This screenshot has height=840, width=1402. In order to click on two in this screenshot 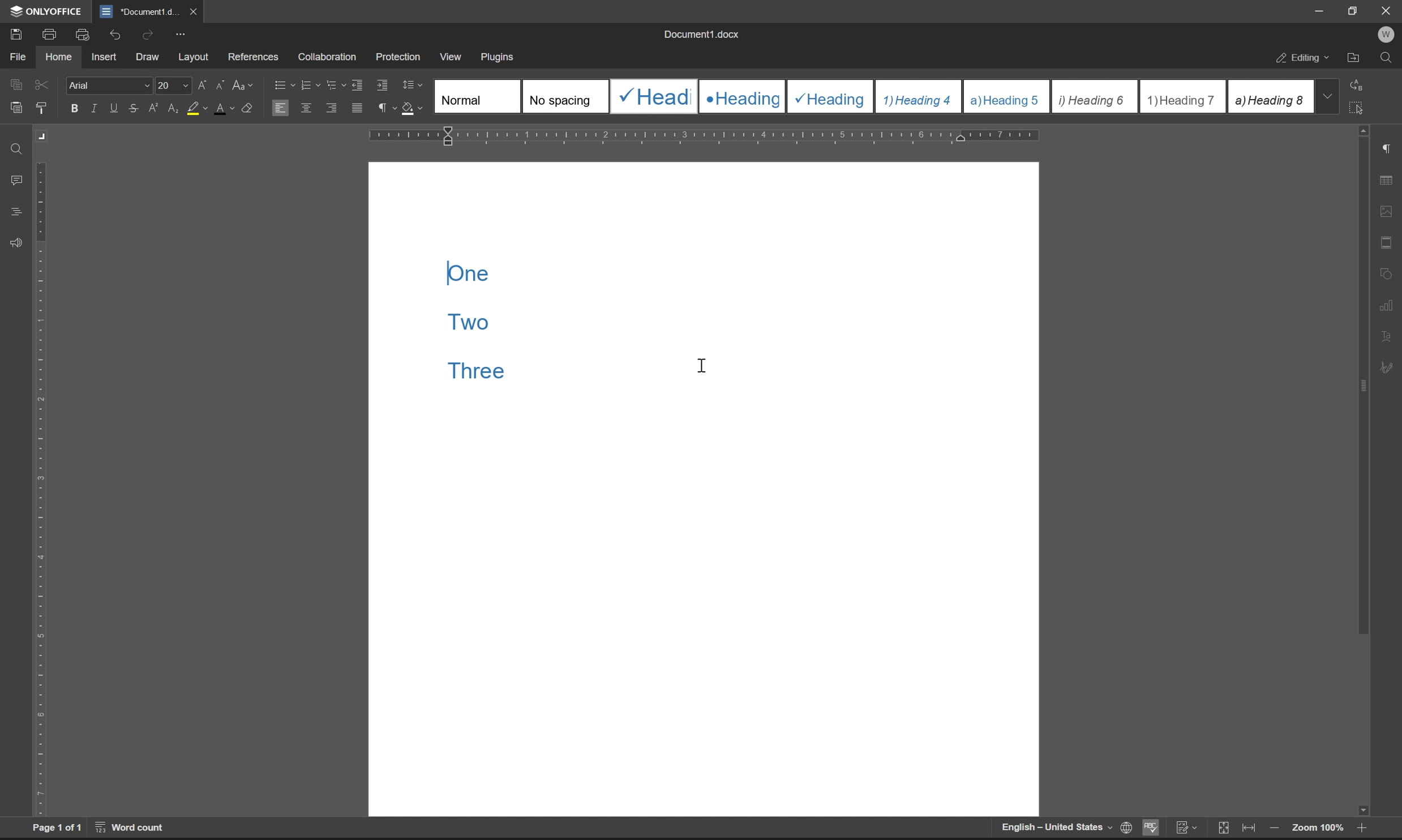, I will do `click(471, 320)`.